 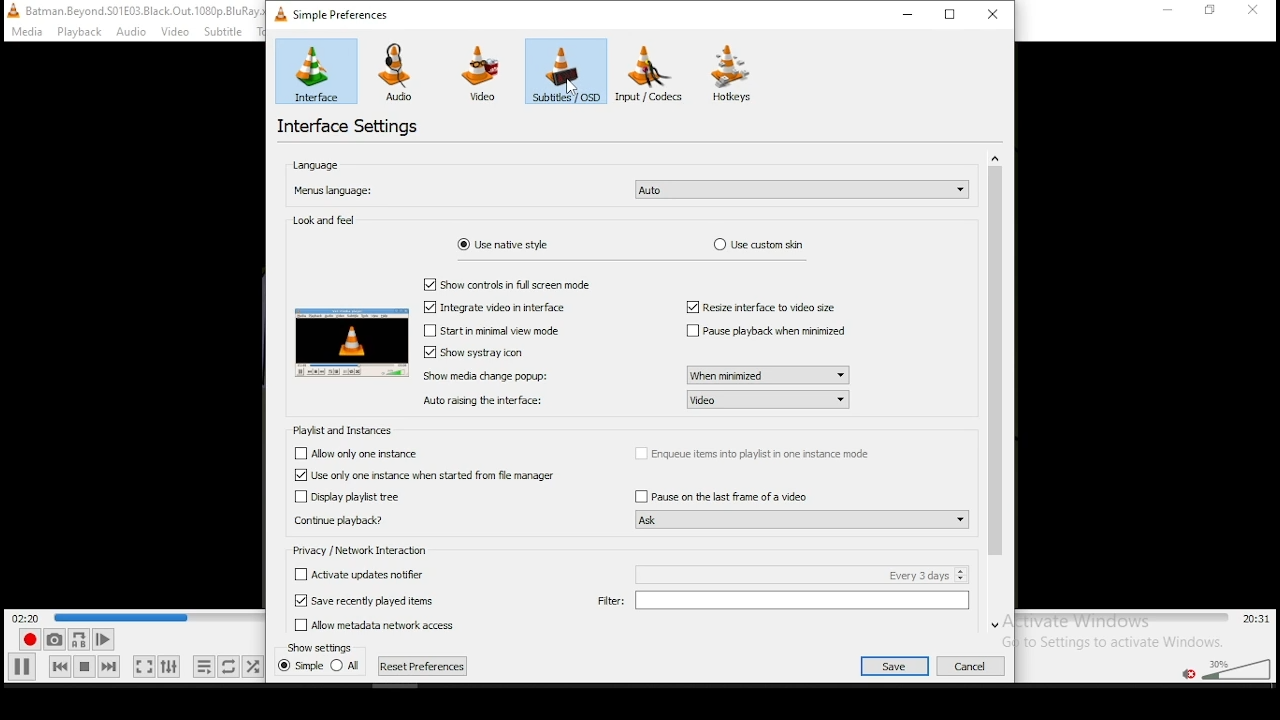 What do you see at coordinates (376, 626) in the screenshot?
I see `Allow metadata access` at bounding box center [376, 626].